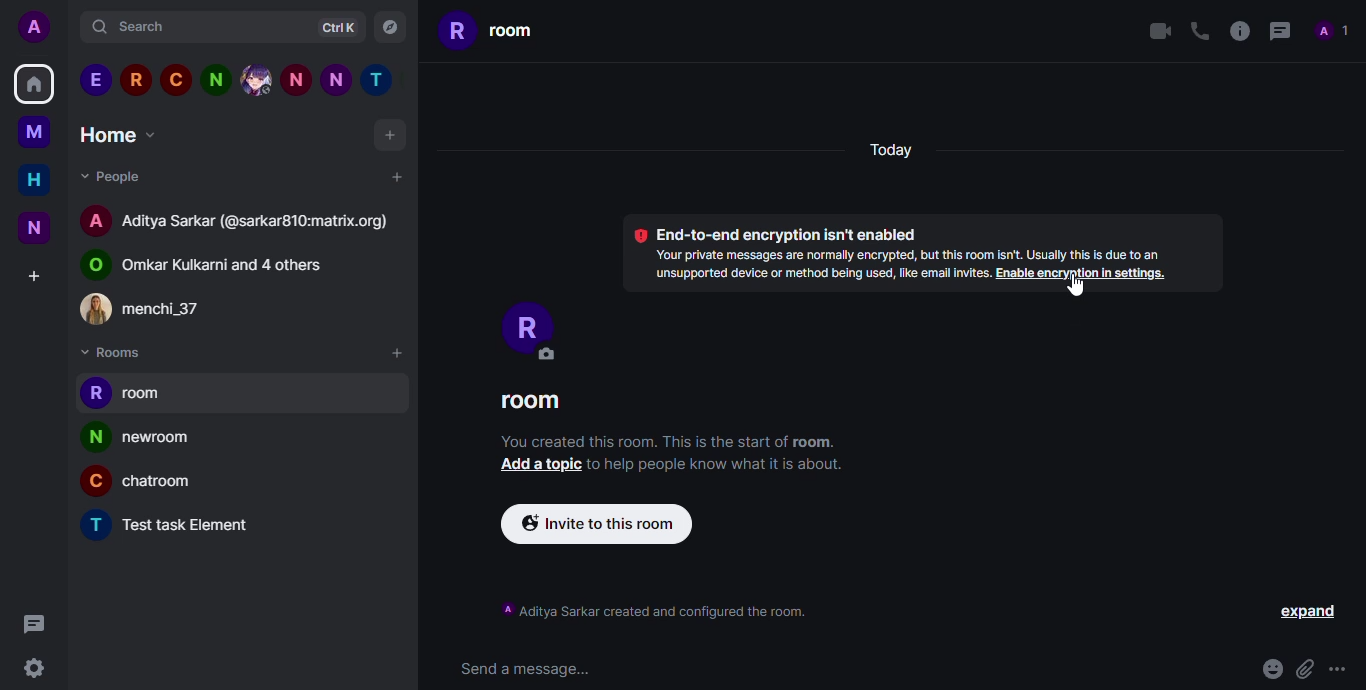  Describe the element at coordinates (395, 176) in the screenshot. I see `start chat` at that location.